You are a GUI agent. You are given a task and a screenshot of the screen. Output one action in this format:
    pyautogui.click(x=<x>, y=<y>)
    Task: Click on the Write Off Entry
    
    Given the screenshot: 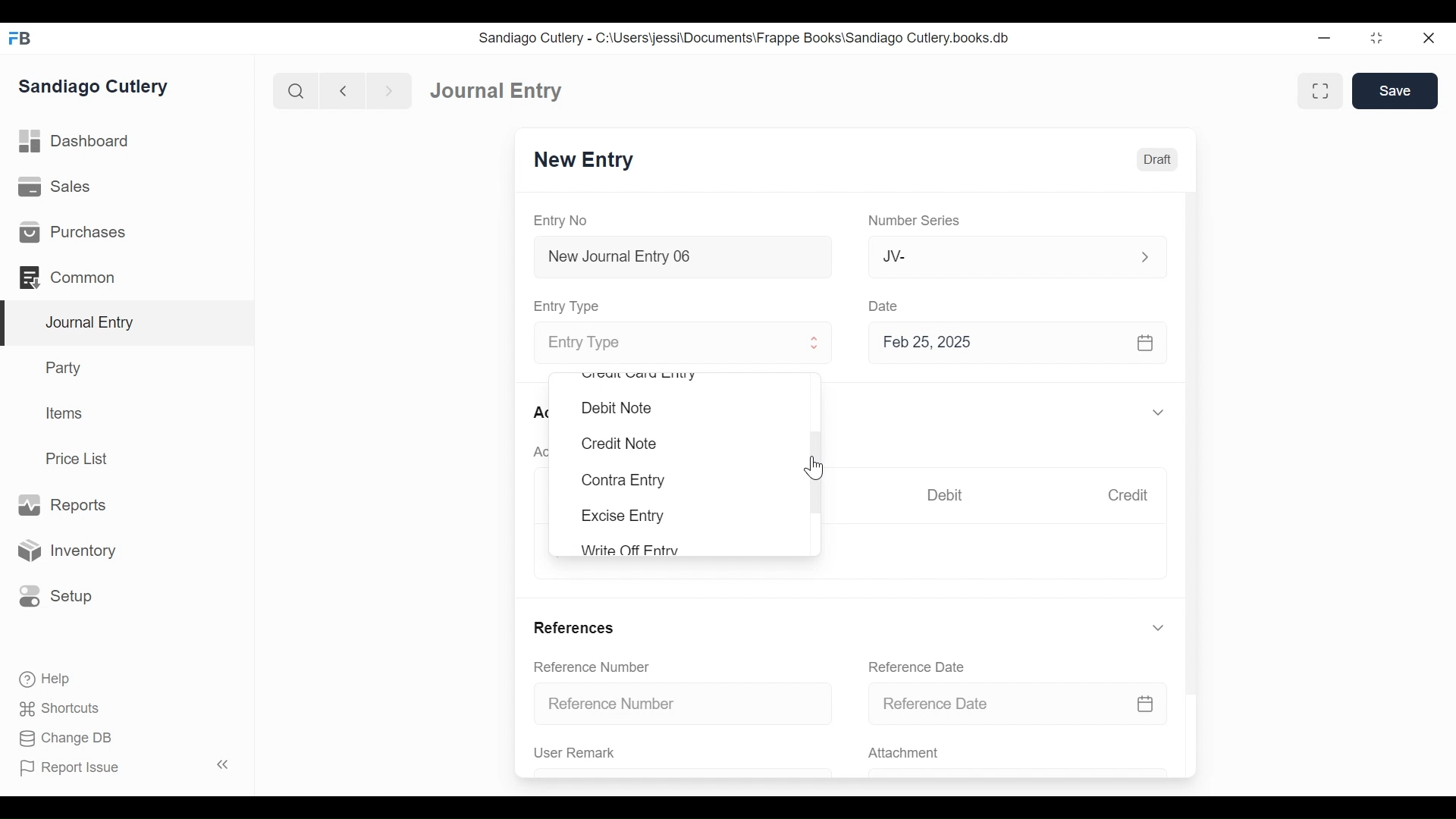 What is the action you would take?
    pyautogui.click(x=628, y=549)
    